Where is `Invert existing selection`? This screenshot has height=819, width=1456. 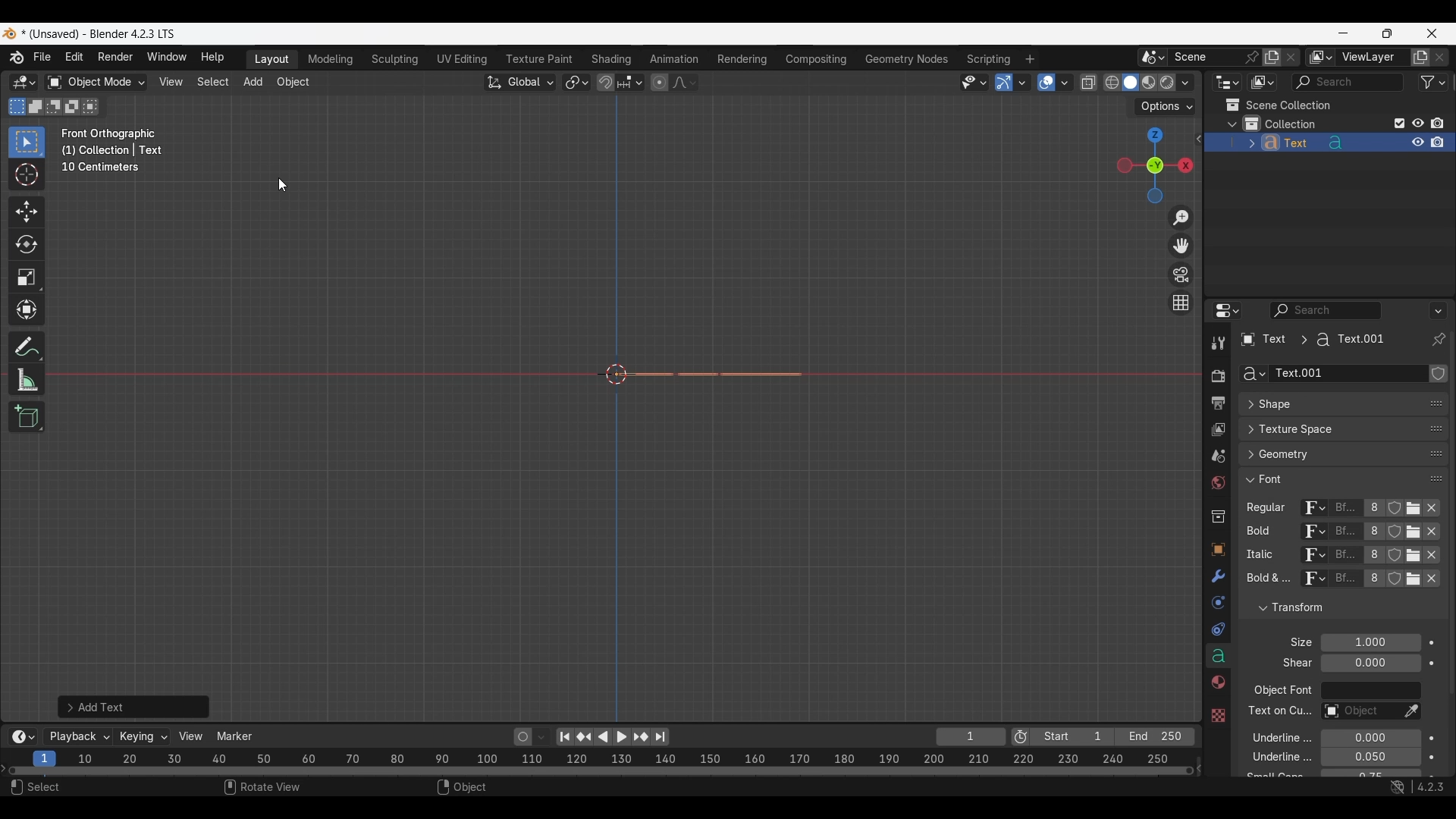 Invert existing selection is located at coordinates (72, 107).